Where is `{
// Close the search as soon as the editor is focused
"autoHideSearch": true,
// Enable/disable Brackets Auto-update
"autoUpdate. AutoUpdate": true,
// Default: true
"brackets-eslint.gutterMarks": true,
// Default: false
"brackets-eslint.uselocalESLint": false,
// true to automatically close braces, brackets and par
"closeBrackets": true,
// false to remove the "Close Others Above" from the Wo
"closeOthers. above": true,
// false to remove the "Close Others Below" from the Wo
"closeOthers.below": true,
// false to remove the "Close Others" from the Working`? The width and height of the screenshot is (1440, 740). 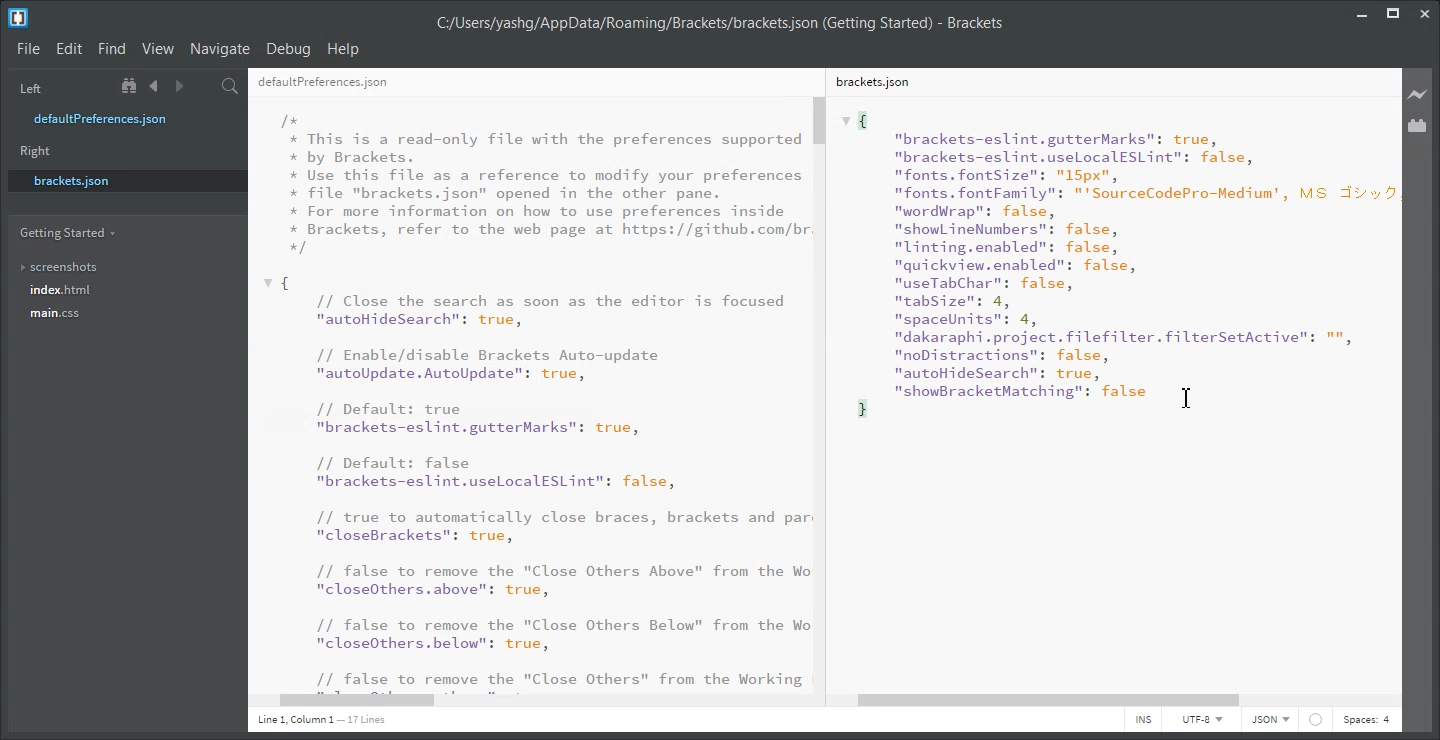 {
// Close the search as soon as the editor is focused
"autoHideSearch": true,
// Enable/disable Brackets Auto-update
"autoUpdate. AutoUpdate": true,
// Default: true
"brackets-eslint.gutterMarks": true,
// Default: false
"brackets-eslint.uselocalESLint": false,
// true to automatically close braces, brackets and par
"closeBrackets": true,
// false to remove the "Close Others Above" from the Wo
"closeOthers. above": true,
// false to remove the "Close Others Below" from the Wo
"closeOthers.below": true,
// false to remove the "Close Others" from the Working is located at coordinates (536, 482).